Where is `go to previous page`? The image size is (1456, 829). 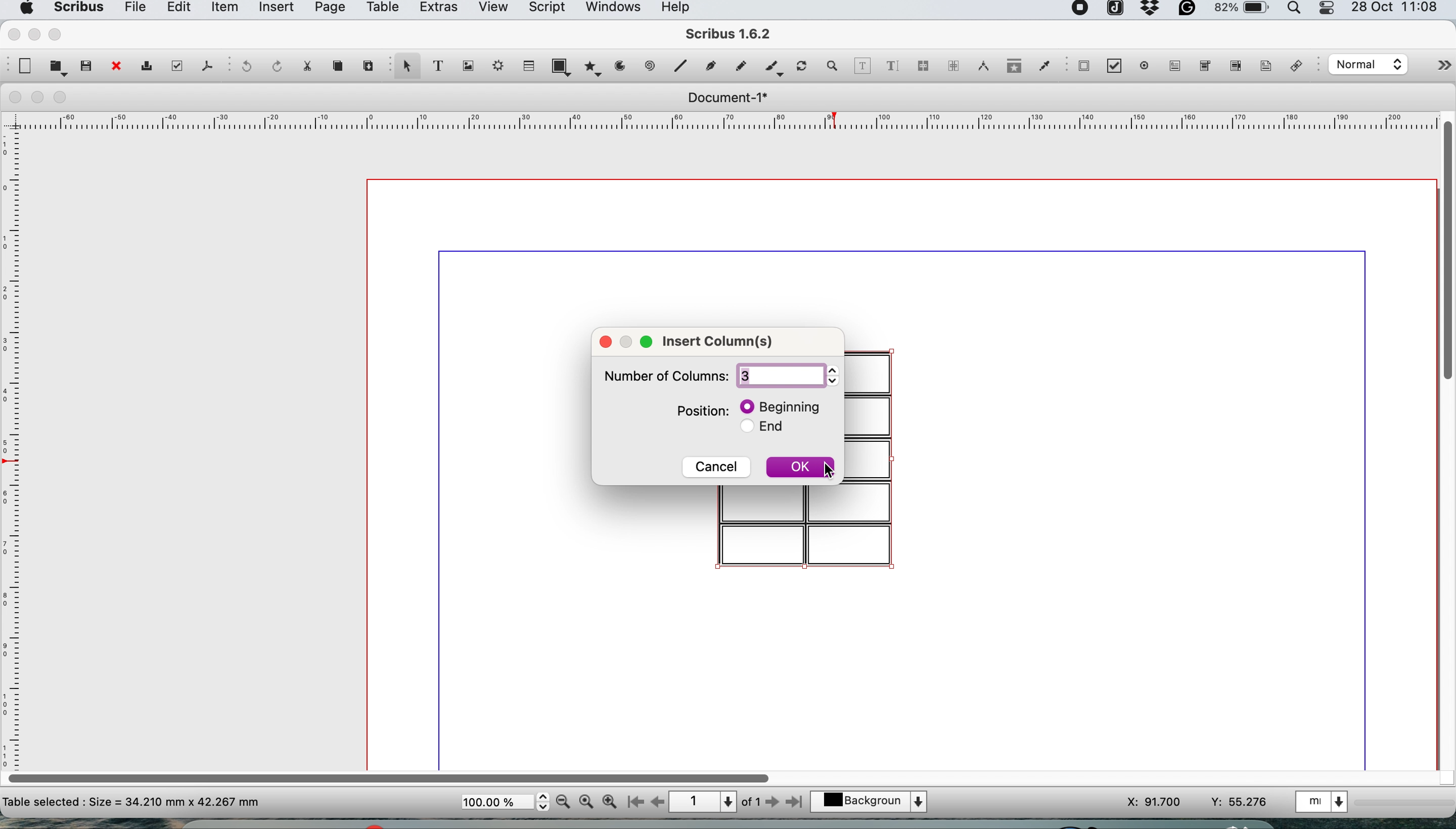 go to previous page is located at coordinates (657, 803).